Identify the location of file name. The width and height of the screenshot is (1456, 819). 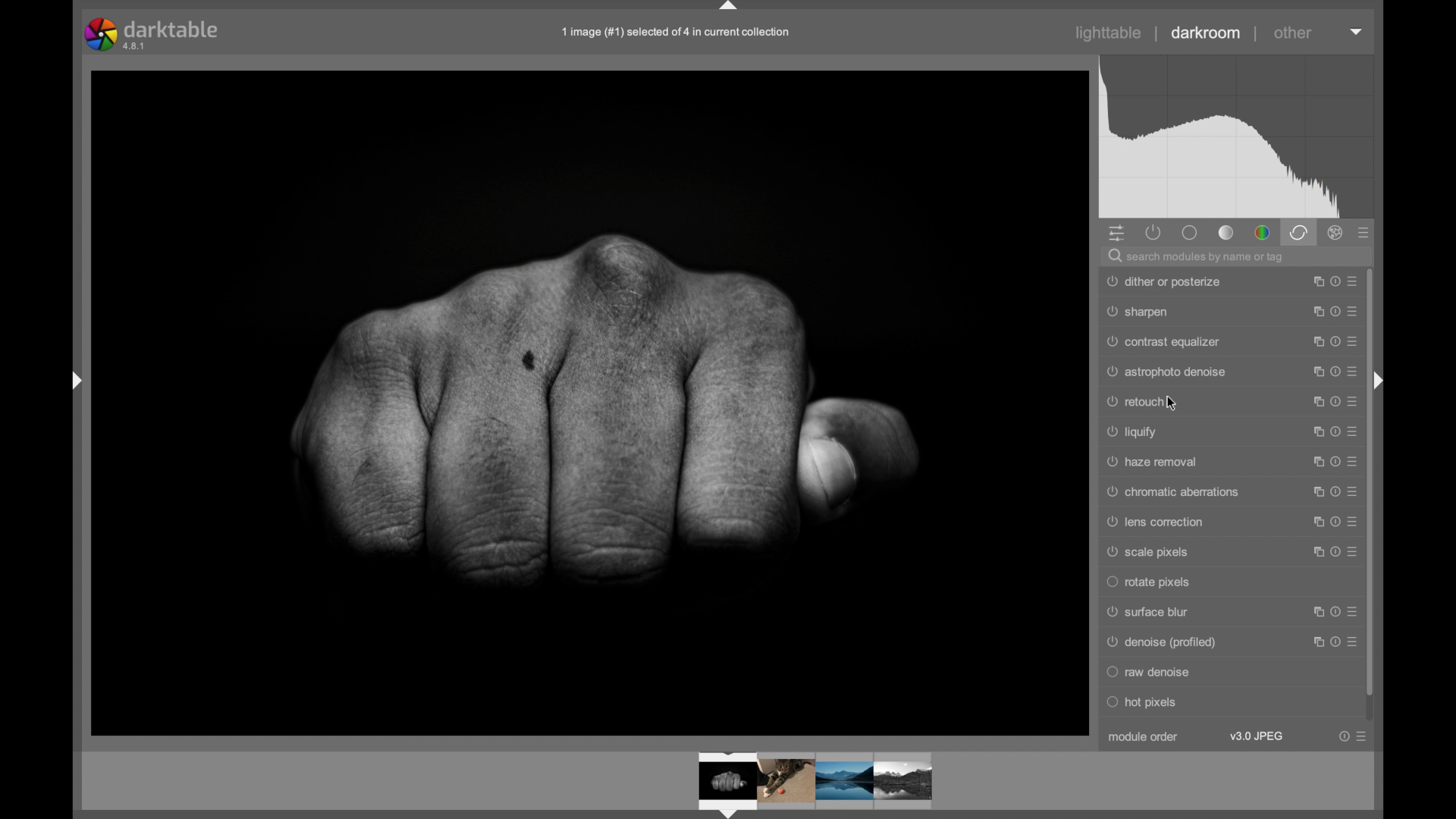
(676, 33).